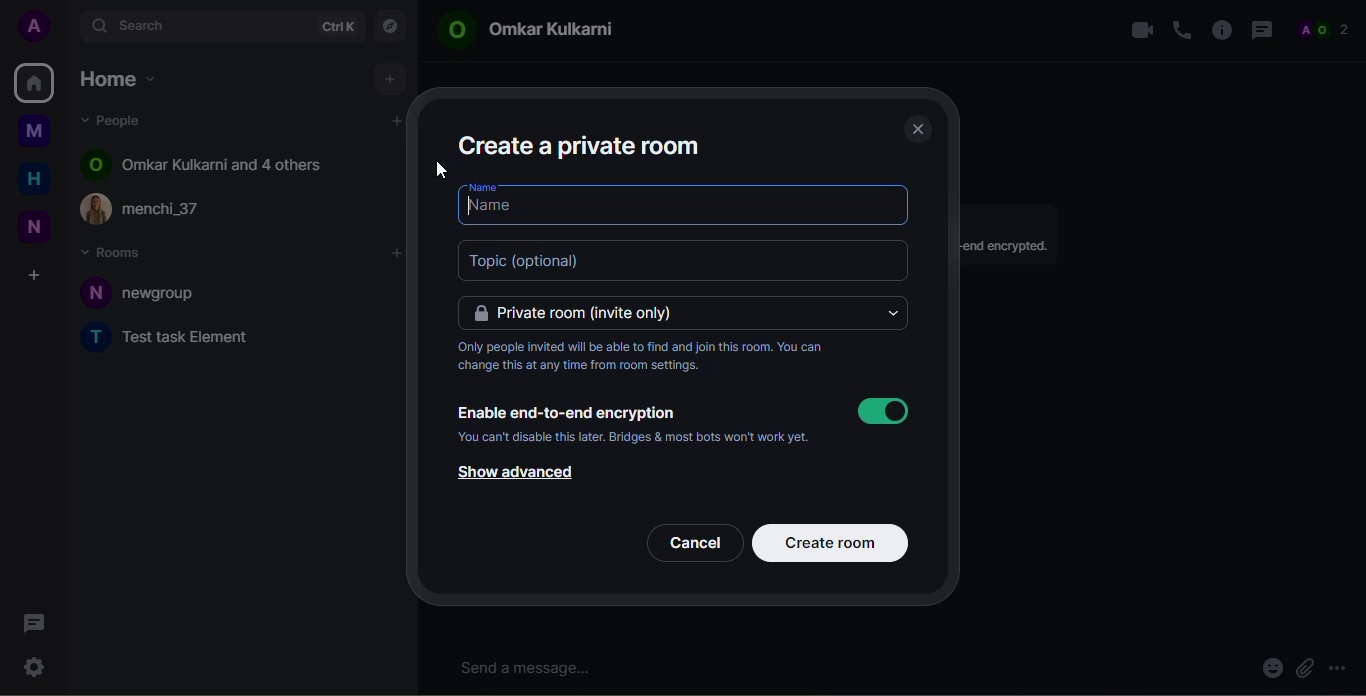 This screenshot has width=1366, height=696. What do you see at coordinates (34, 228) in the screenshot?
I see `new` at bounding box center [34, 228].